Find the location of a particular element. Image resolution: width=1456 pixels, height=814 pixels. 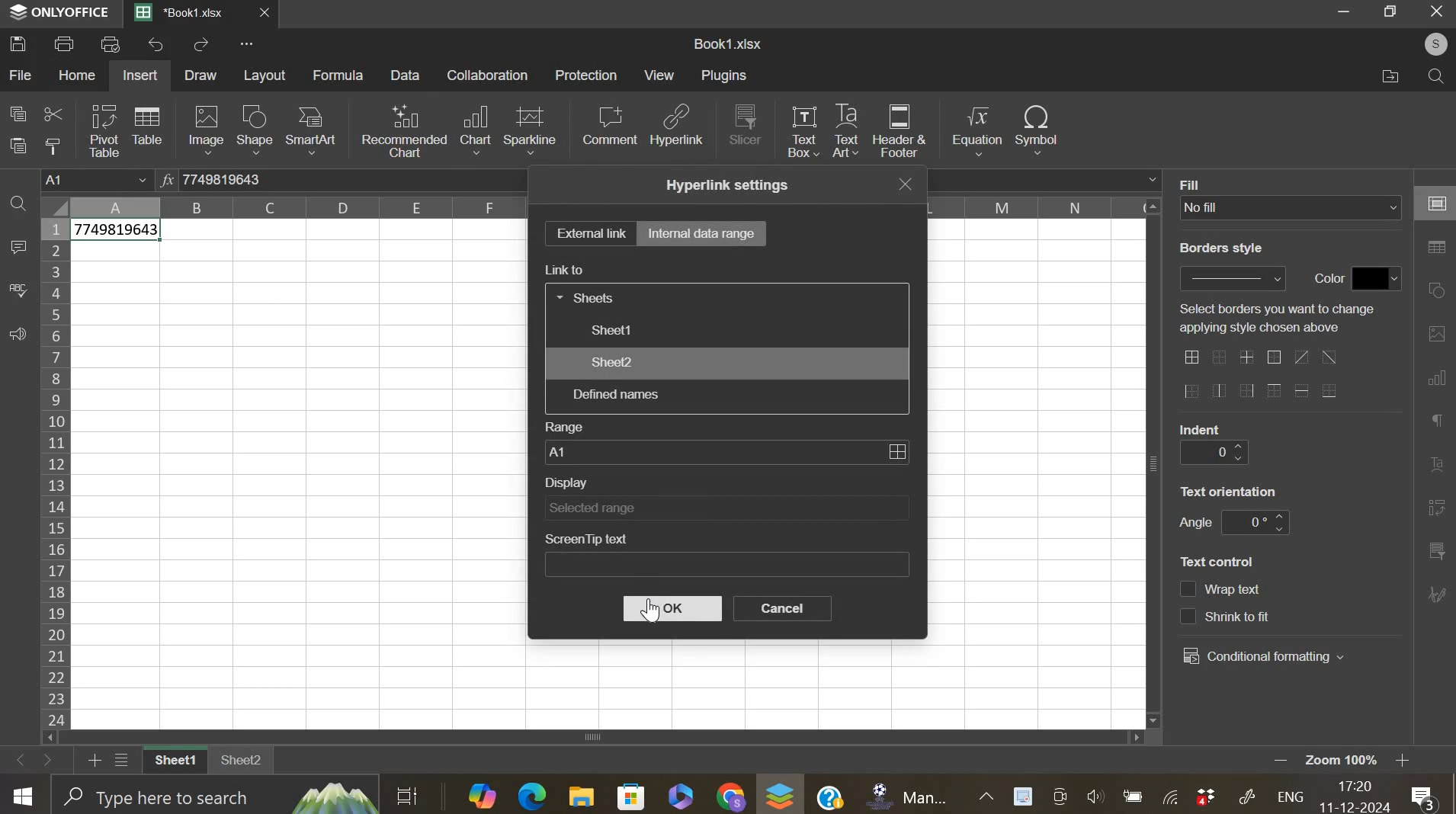

Minimize is located at coordinates (1346, 14).